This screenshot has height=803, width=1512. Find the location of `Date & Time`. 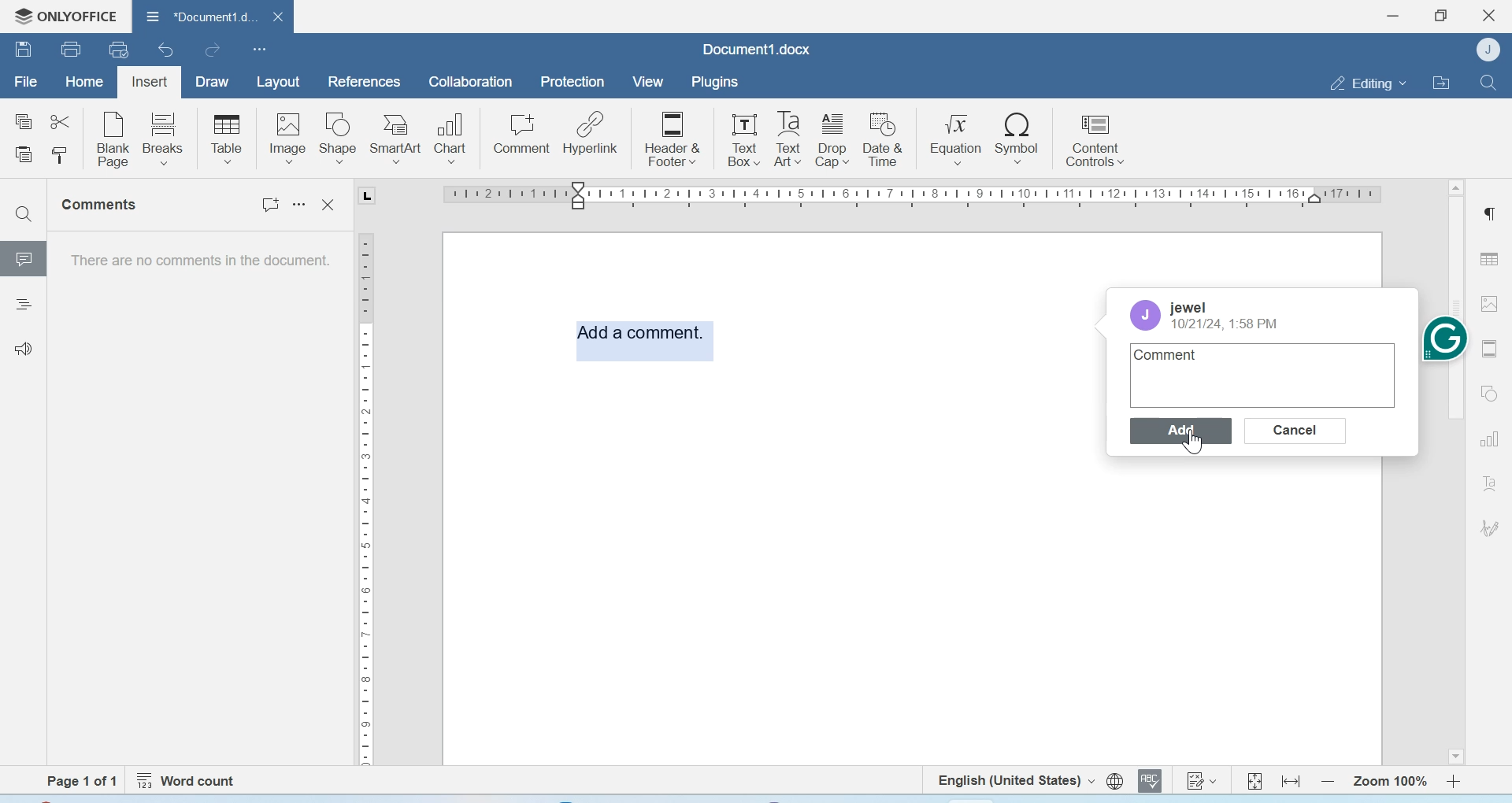

Date & Time is located at coordinates (884, 139).